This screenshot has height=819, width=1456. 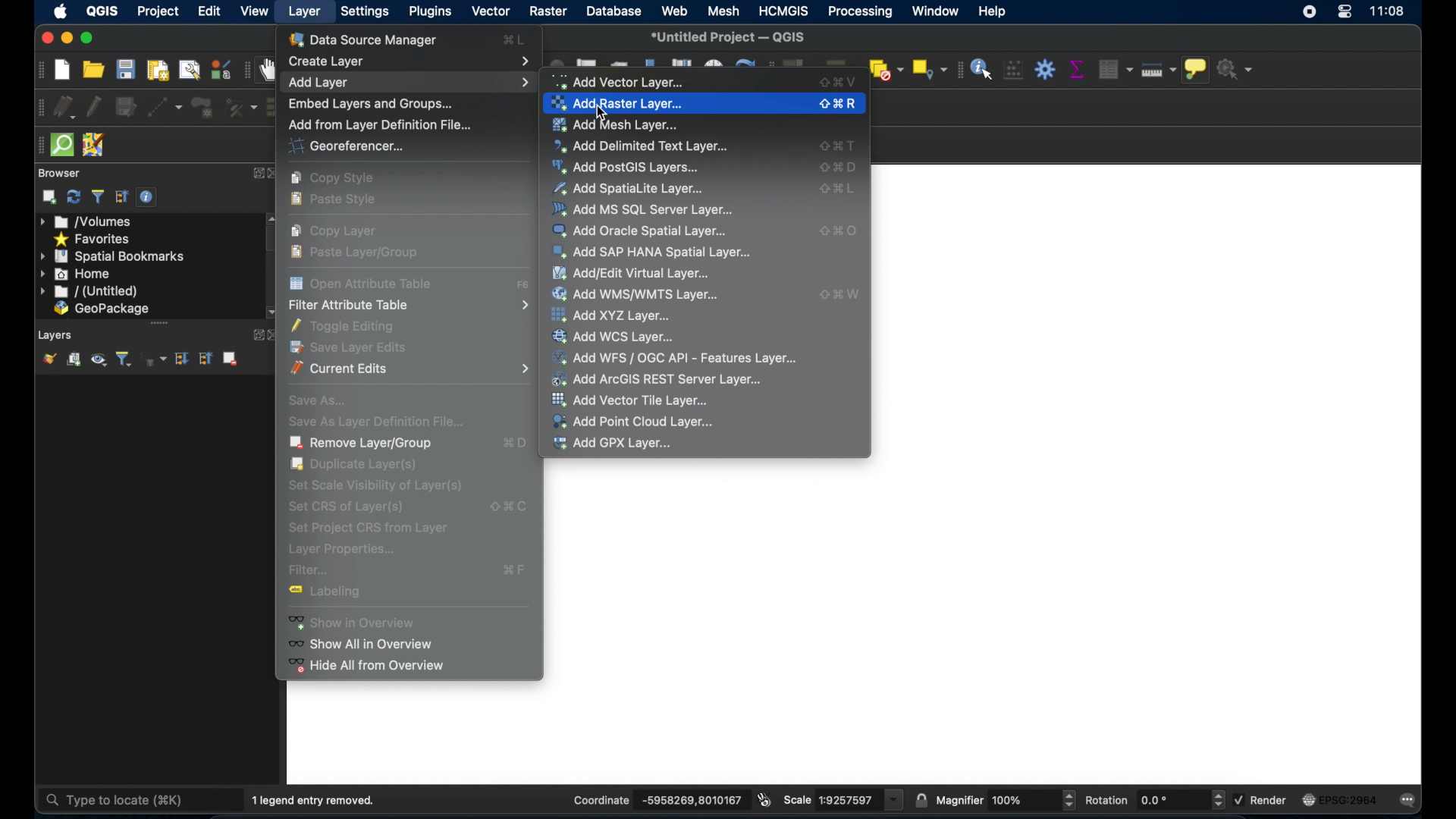 I want to click on raster, so click(x=548, y=12).